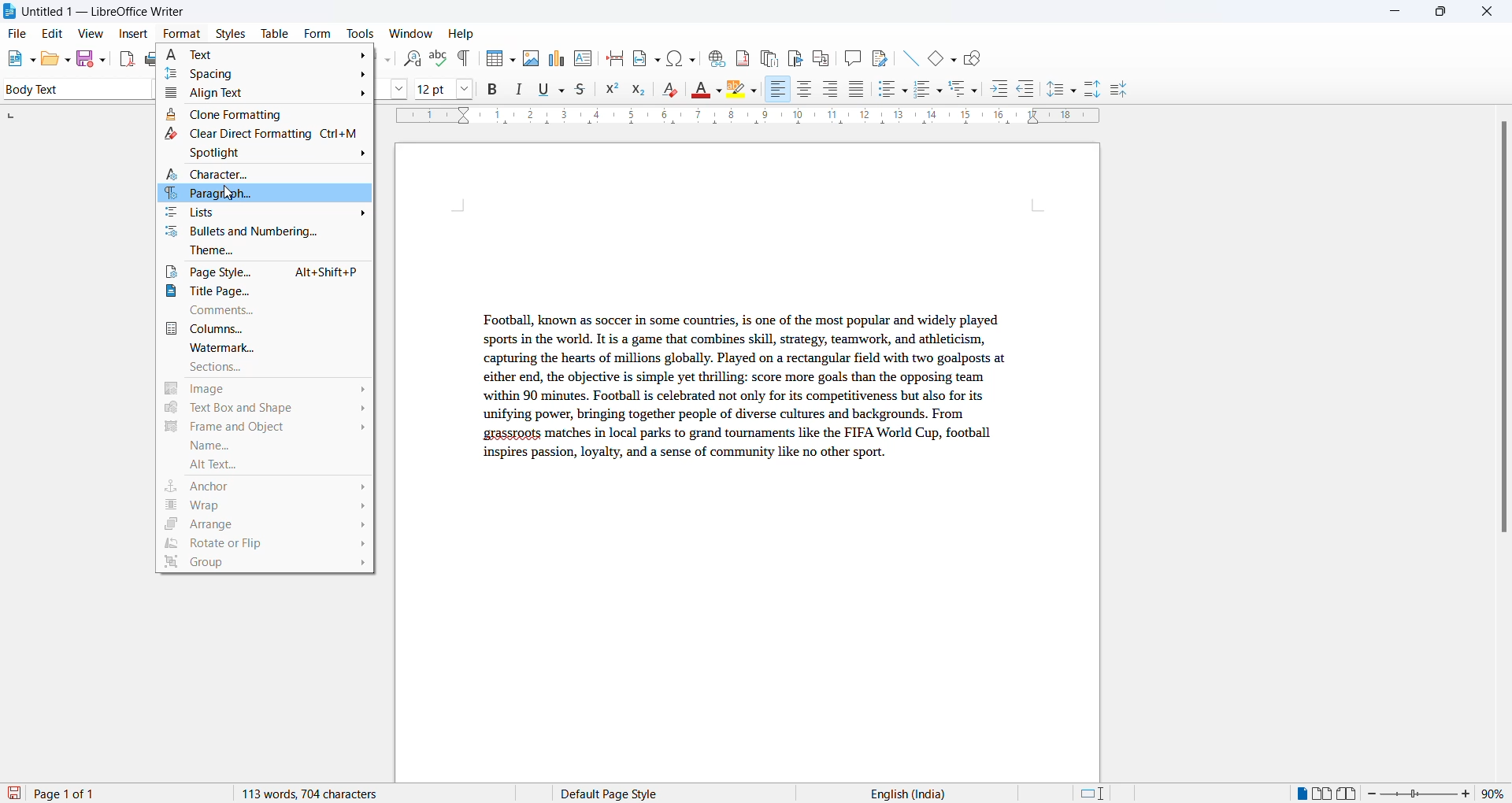  What do you see at coordinates (465, 88) in the screenshot?
I see `font size options` at bounding box center [465, 88].